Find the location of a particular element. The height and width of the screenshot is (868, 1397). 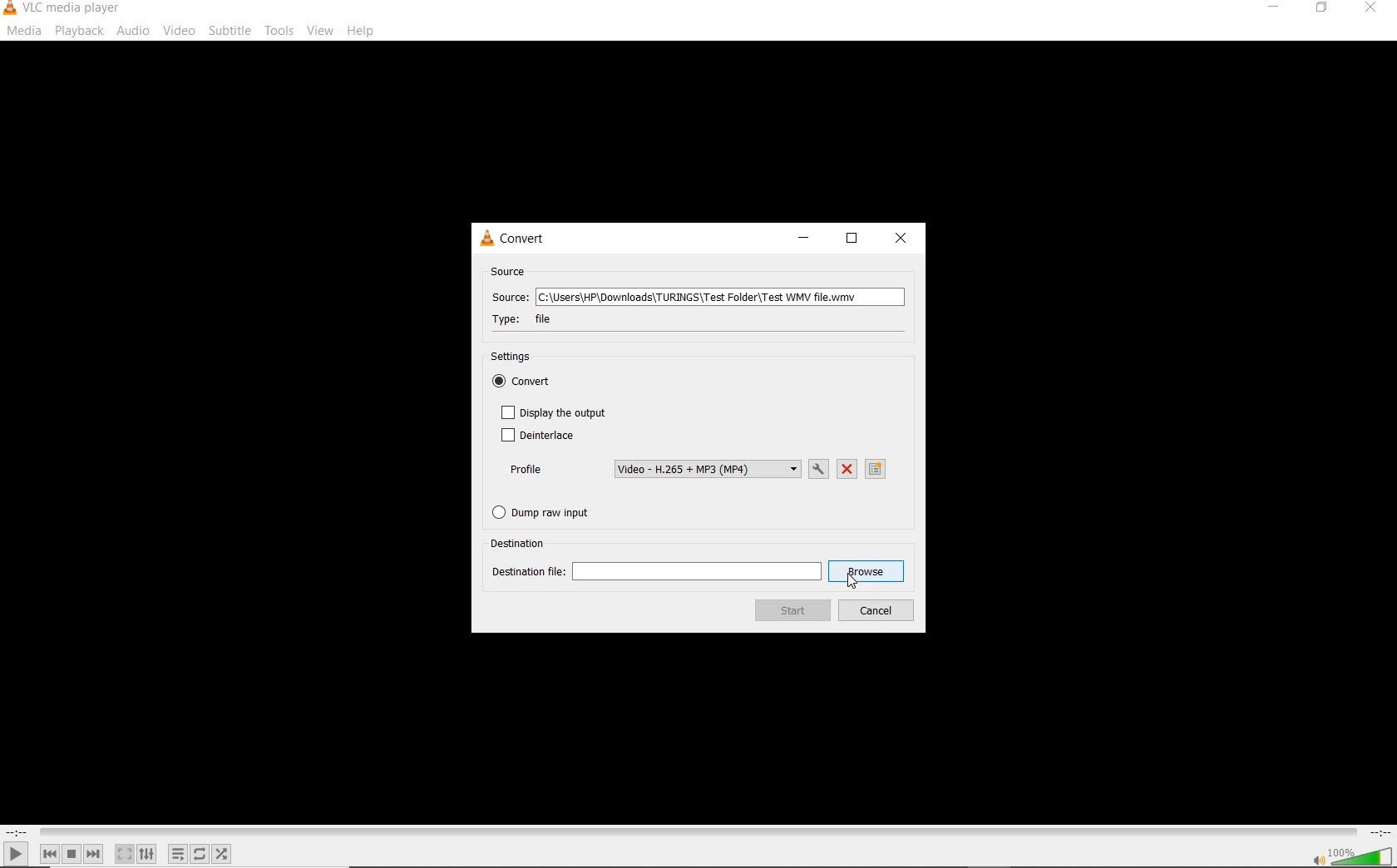

DELETE SELECTED PROFILE is located at coordinates (847, 470).